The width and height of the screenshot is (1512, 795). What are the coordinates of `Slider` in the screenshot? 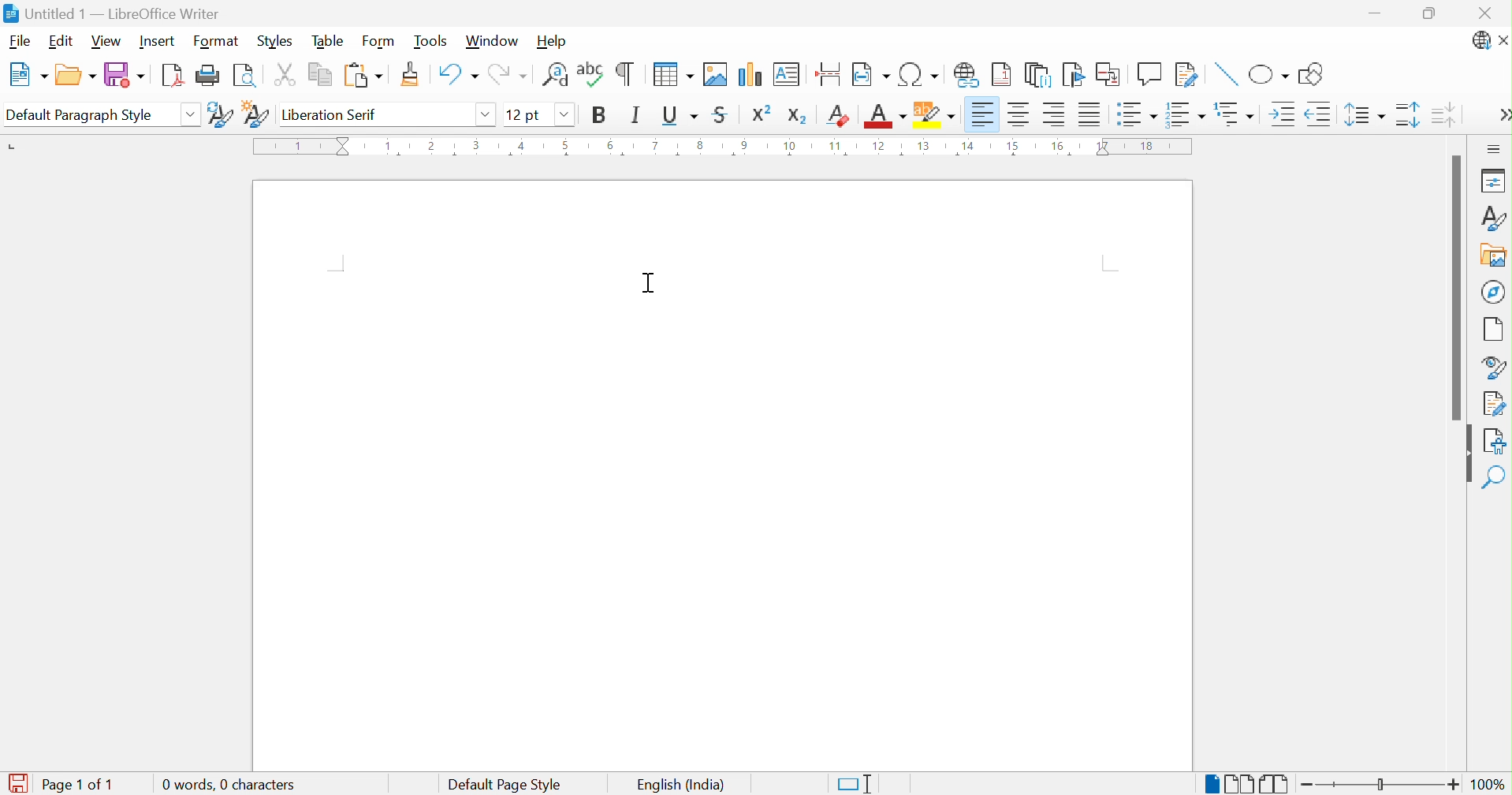 It's located at (1379, 784).